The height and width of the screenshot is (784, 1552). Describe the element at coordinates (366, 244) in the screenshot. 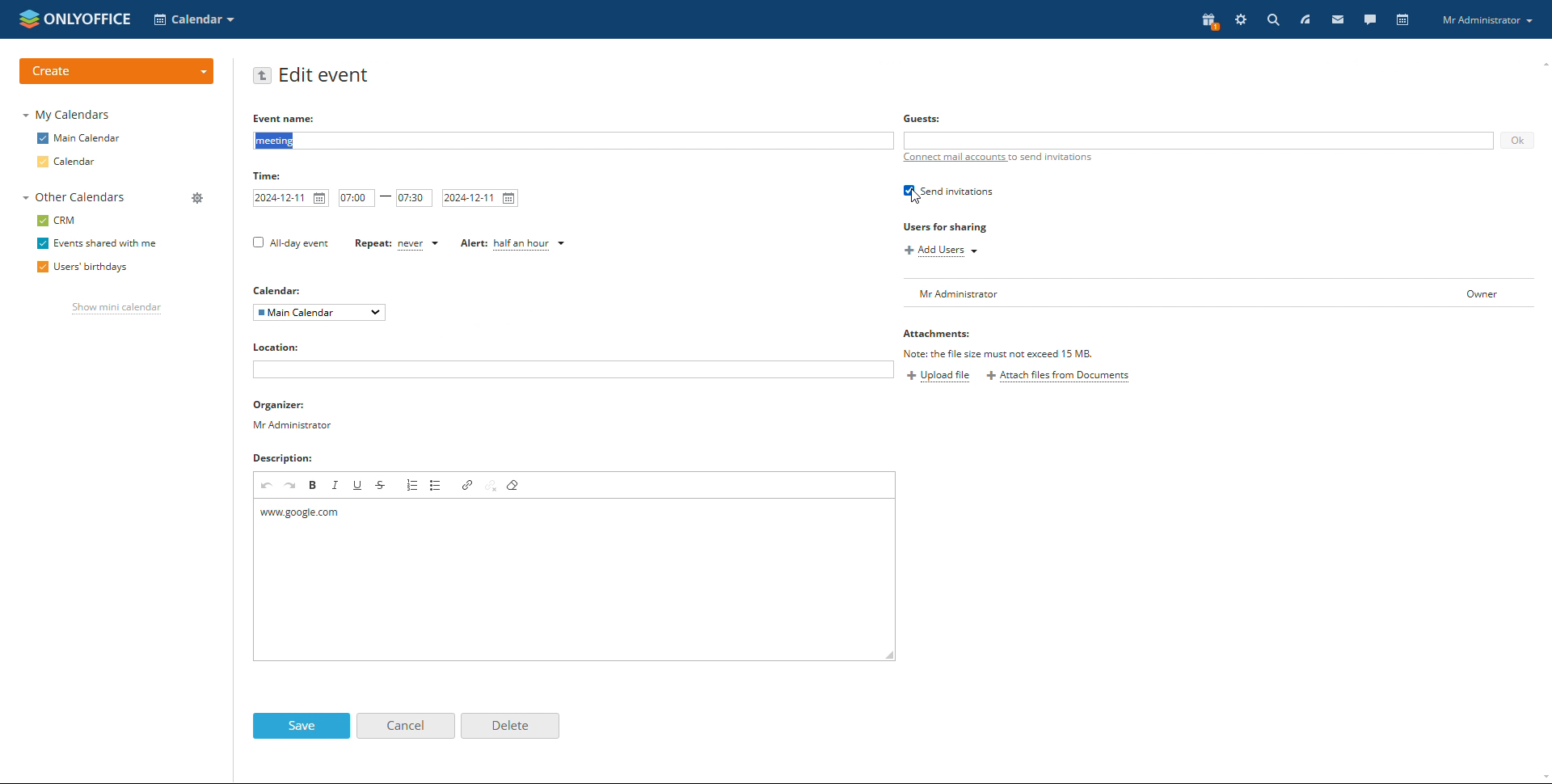

I see `Repeat:` at that location.